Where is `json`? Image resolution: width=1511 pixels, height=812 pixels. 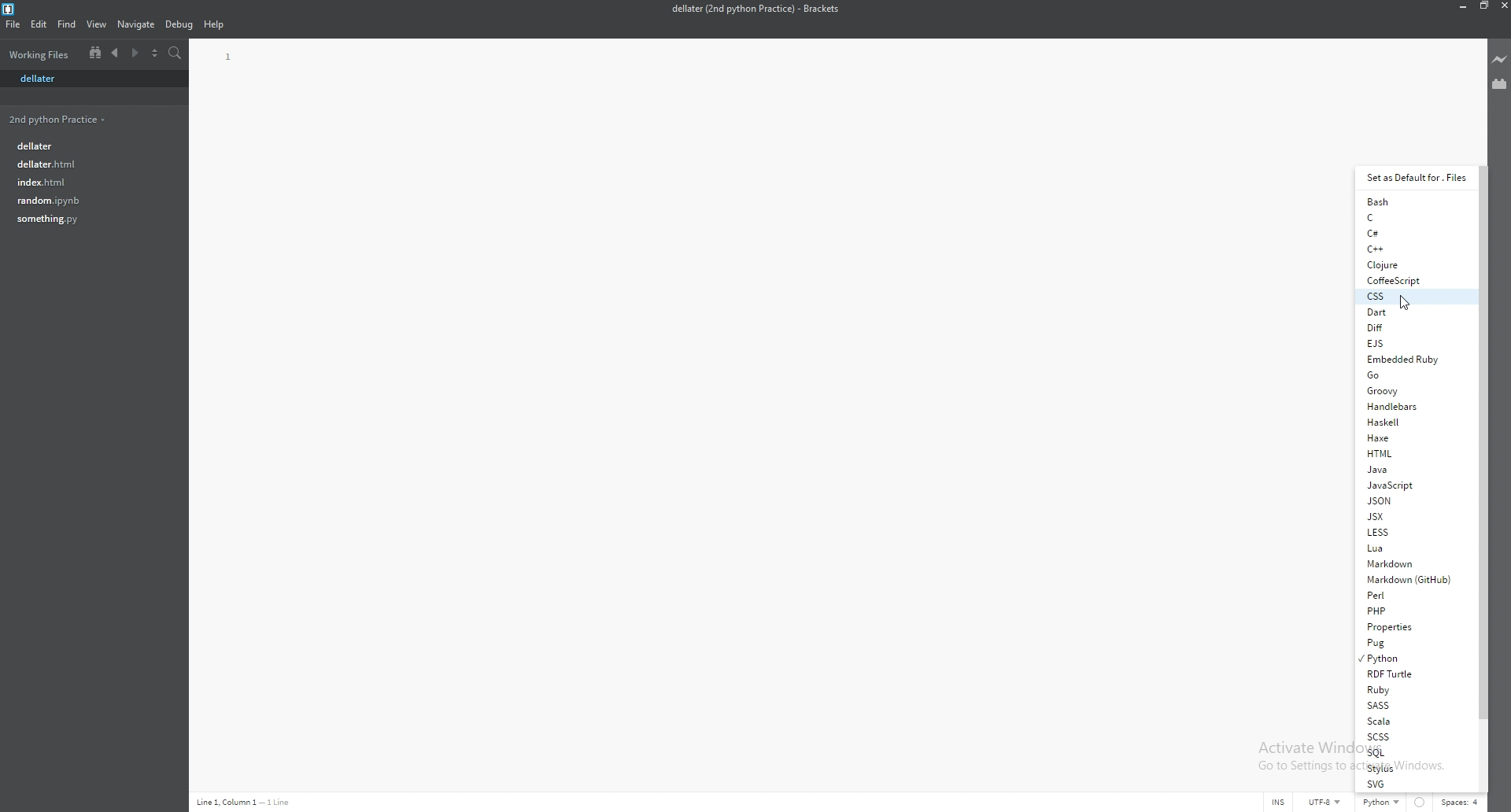 json is located at coordinates (1413, 500).